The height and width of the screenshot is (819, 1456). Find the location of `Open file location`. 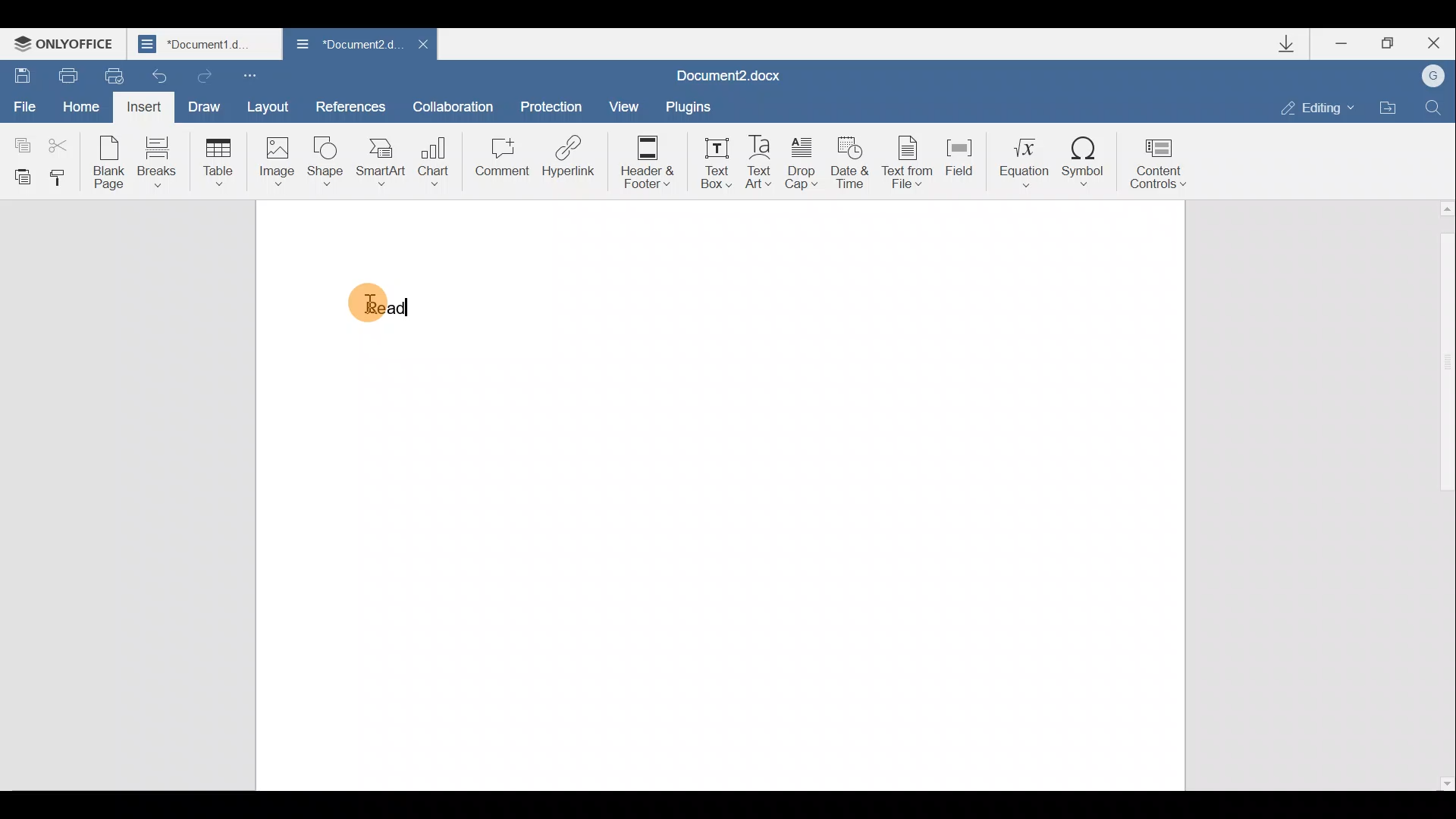

Open file location is located at coordinates (1389, 108).